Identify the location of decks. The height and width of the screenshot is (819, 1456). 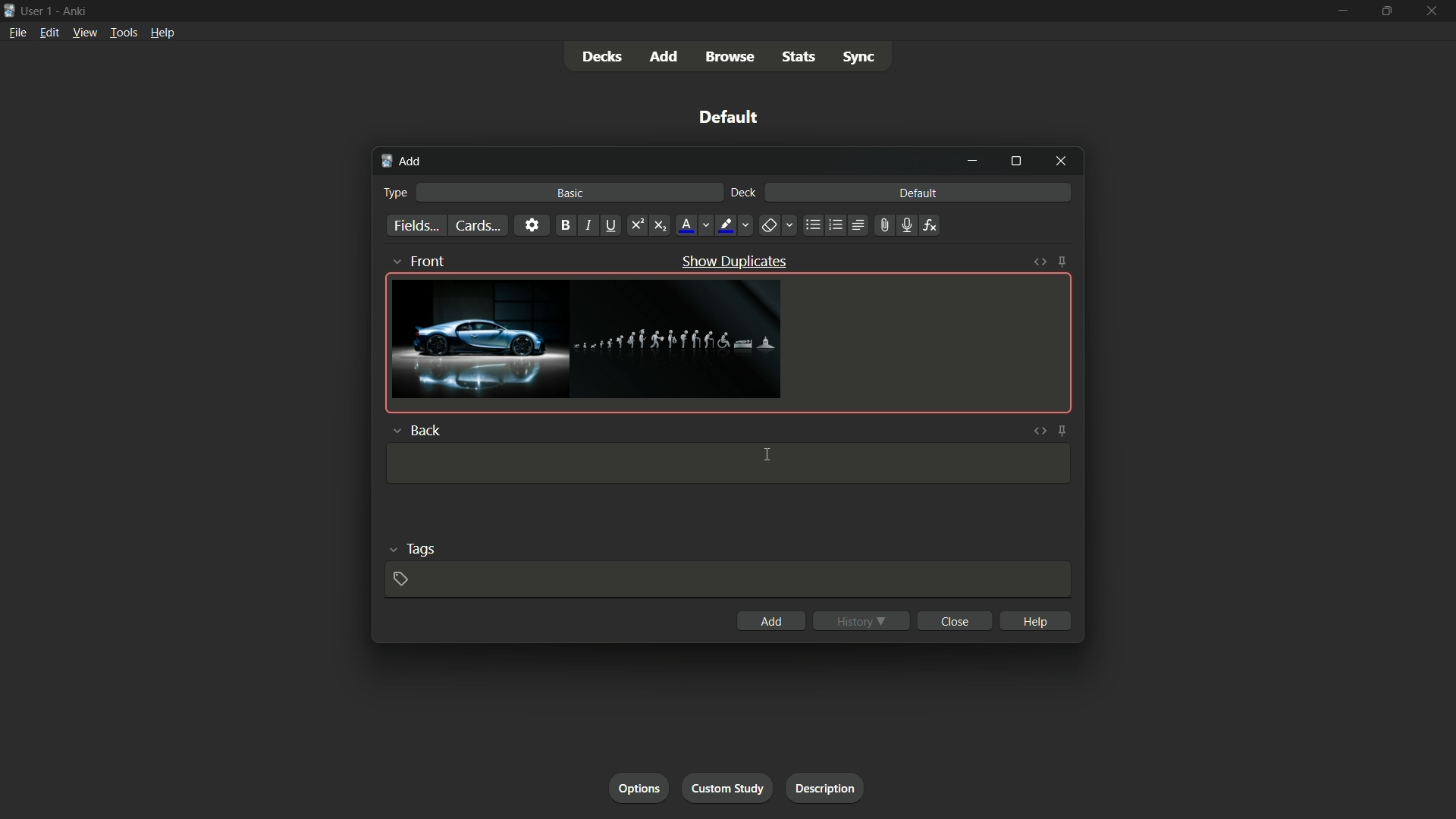
(602, 58).